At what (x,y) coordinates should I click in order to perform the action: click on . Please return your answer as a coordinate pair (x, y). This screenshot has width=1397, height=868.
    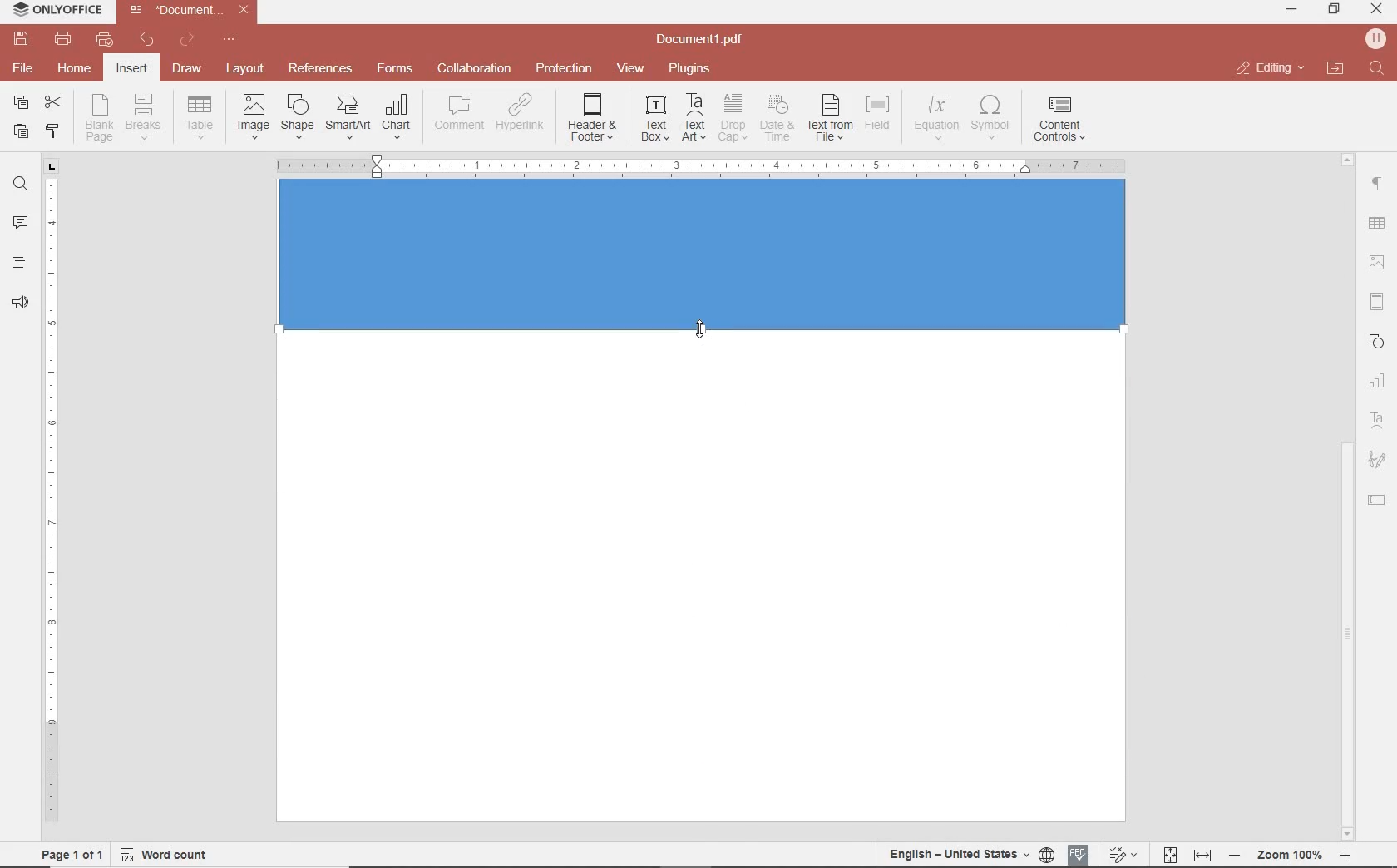
    Looking at the image, I should click on (707, 268).